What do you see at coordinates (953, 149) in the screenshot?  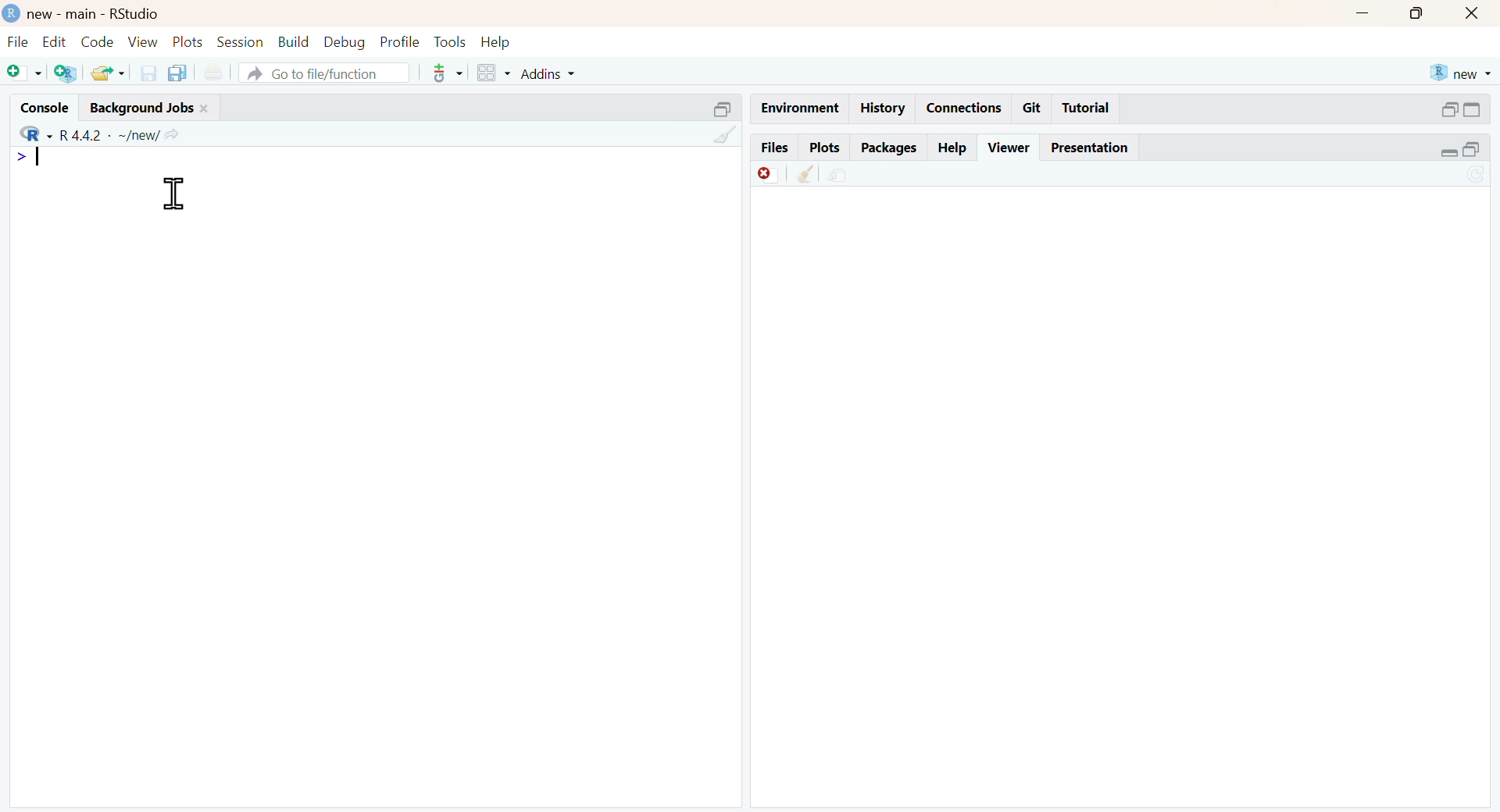 I see `help` at bounding box center [953, 149].